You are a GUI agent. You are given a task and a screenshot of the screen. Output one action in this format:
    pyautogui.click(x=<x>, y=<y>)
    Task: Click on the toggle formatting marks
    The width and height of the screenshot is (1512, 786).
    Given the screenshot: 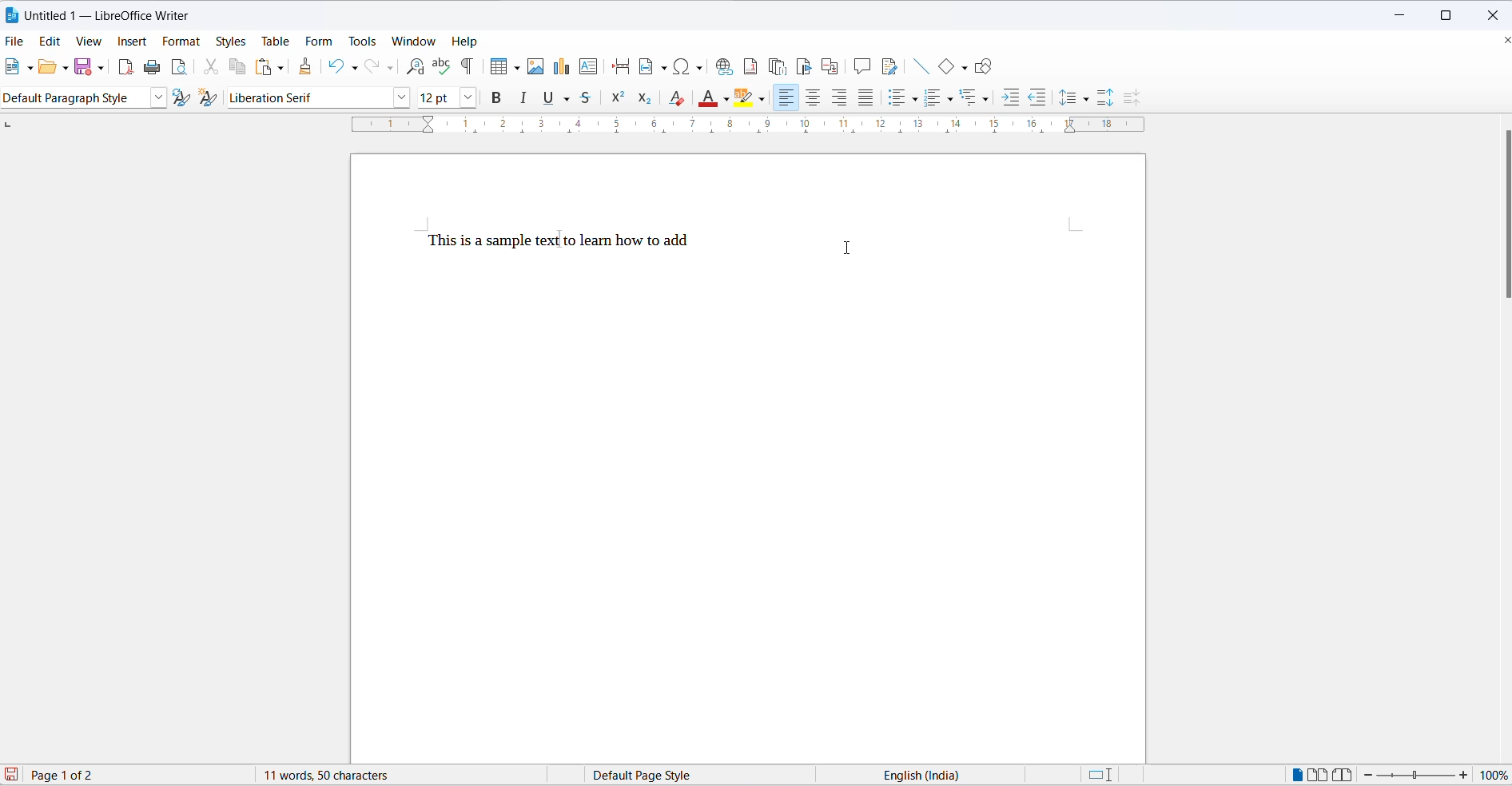 What is the action you would take?
    pyautogui.click(x=468, y=65)
    